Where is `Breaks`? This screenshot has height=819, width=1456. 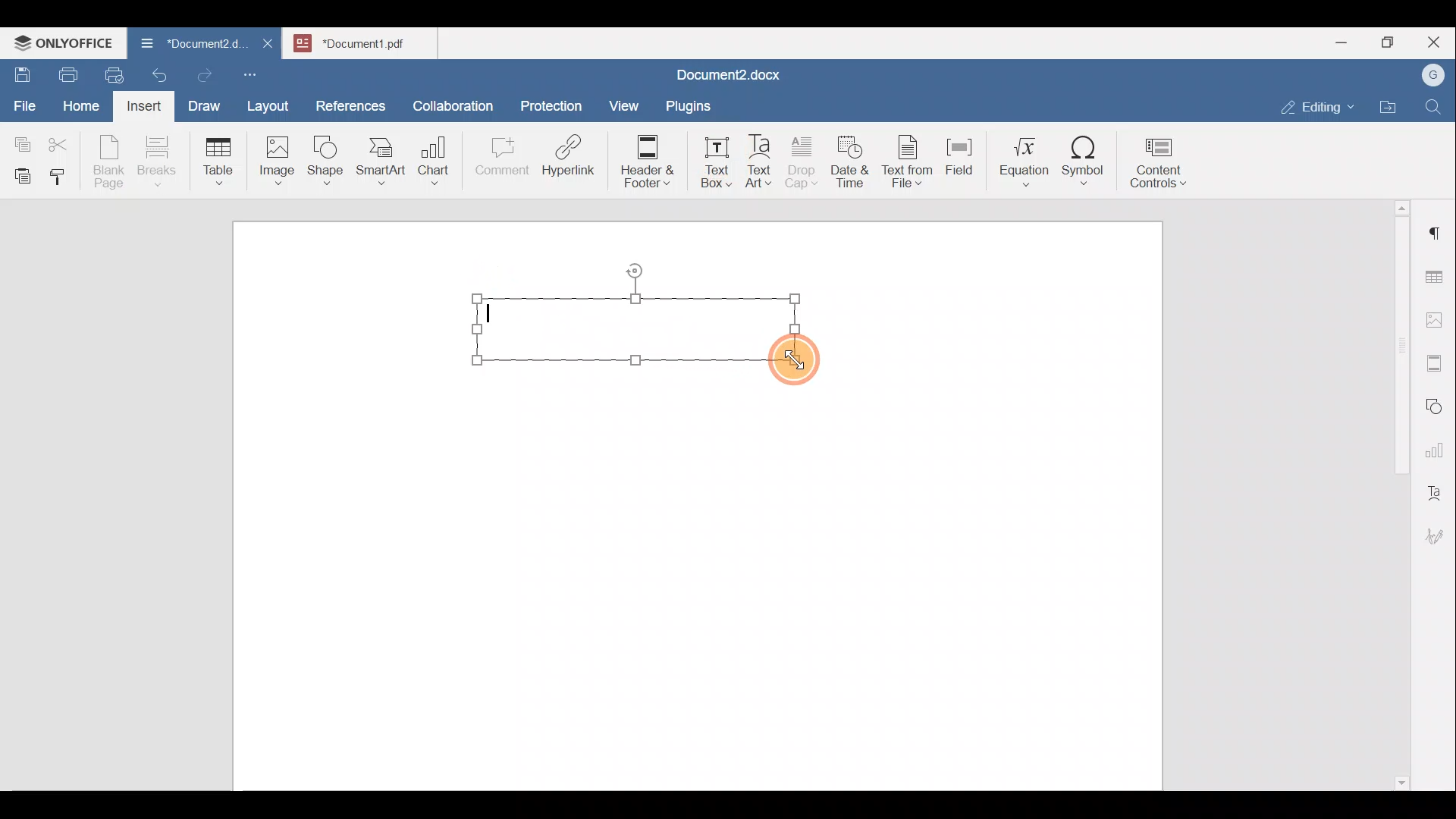 Breaks is located at coordinates (156, 162).